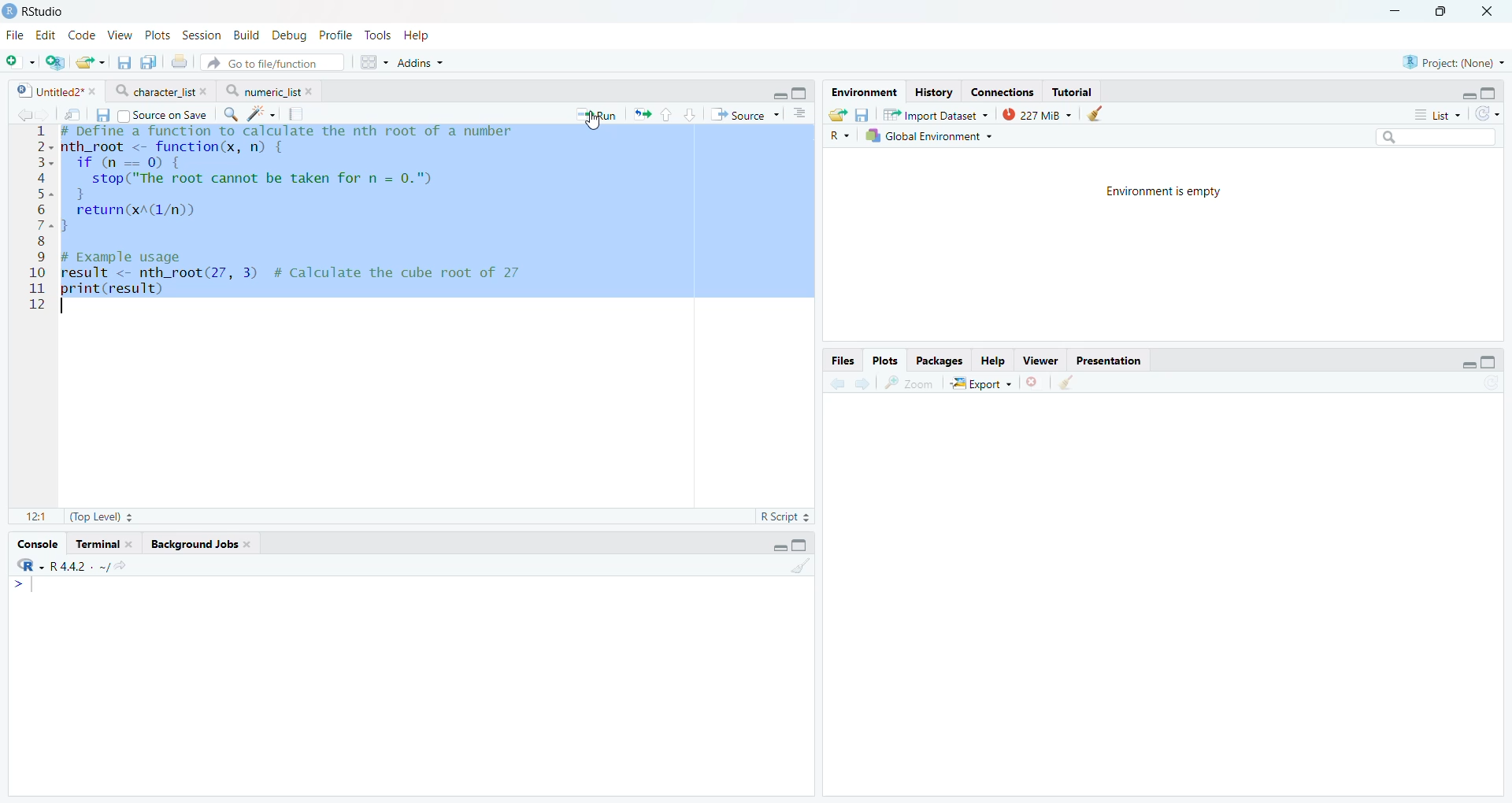 This screenshot has width=1512, height=803. Describe the element at coordinates (841, 135) in the screenshot. I see `R` at that location.